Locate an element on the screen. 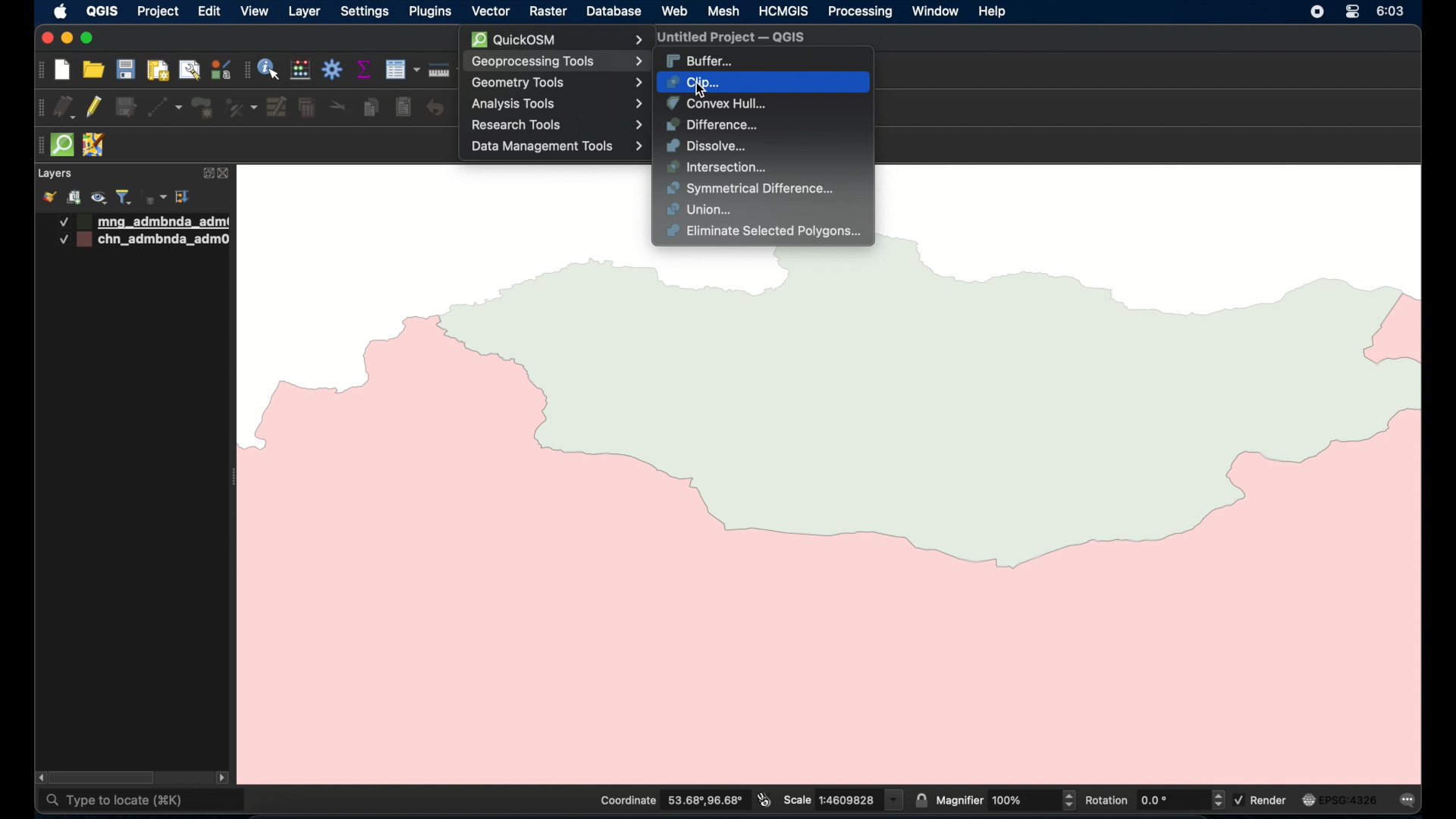  current crs is located at coordinates (1340, 799).